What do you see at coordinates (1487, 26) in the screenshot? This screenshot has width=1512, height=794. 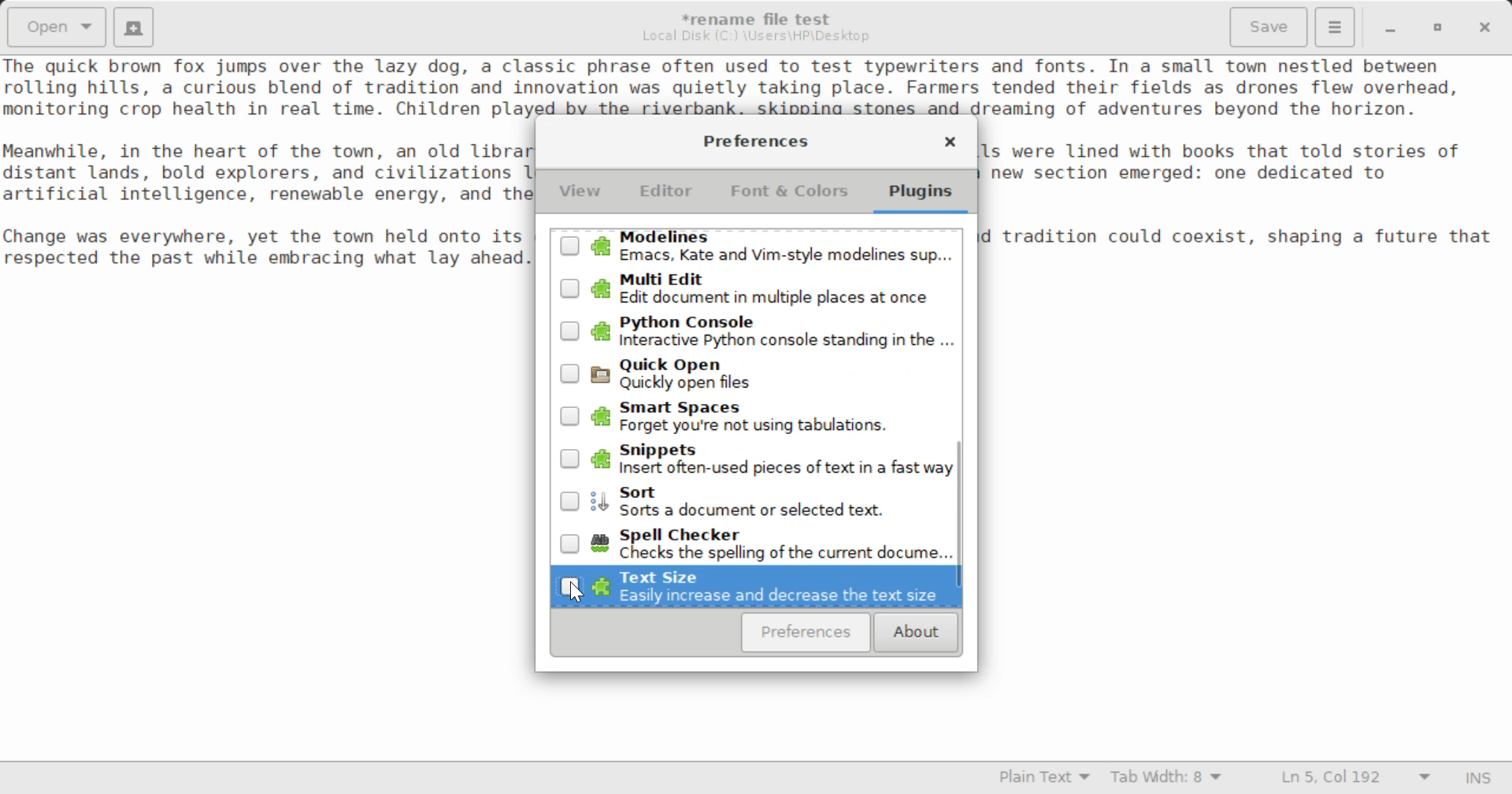 I see `Close Window` at bounding box center [1487, 26].